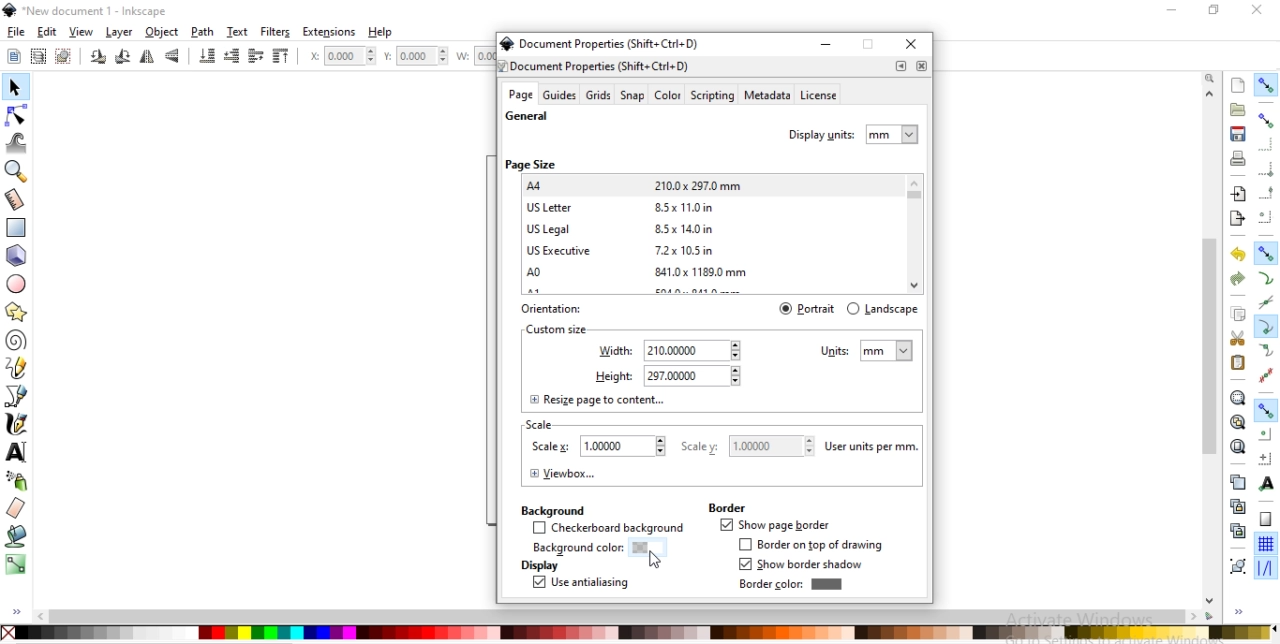 This screenshot has width=1280, height=644. What do you see at coordinates (882, 309) in the screenshot?
I see `landscape` at bounding box center [882, 309].